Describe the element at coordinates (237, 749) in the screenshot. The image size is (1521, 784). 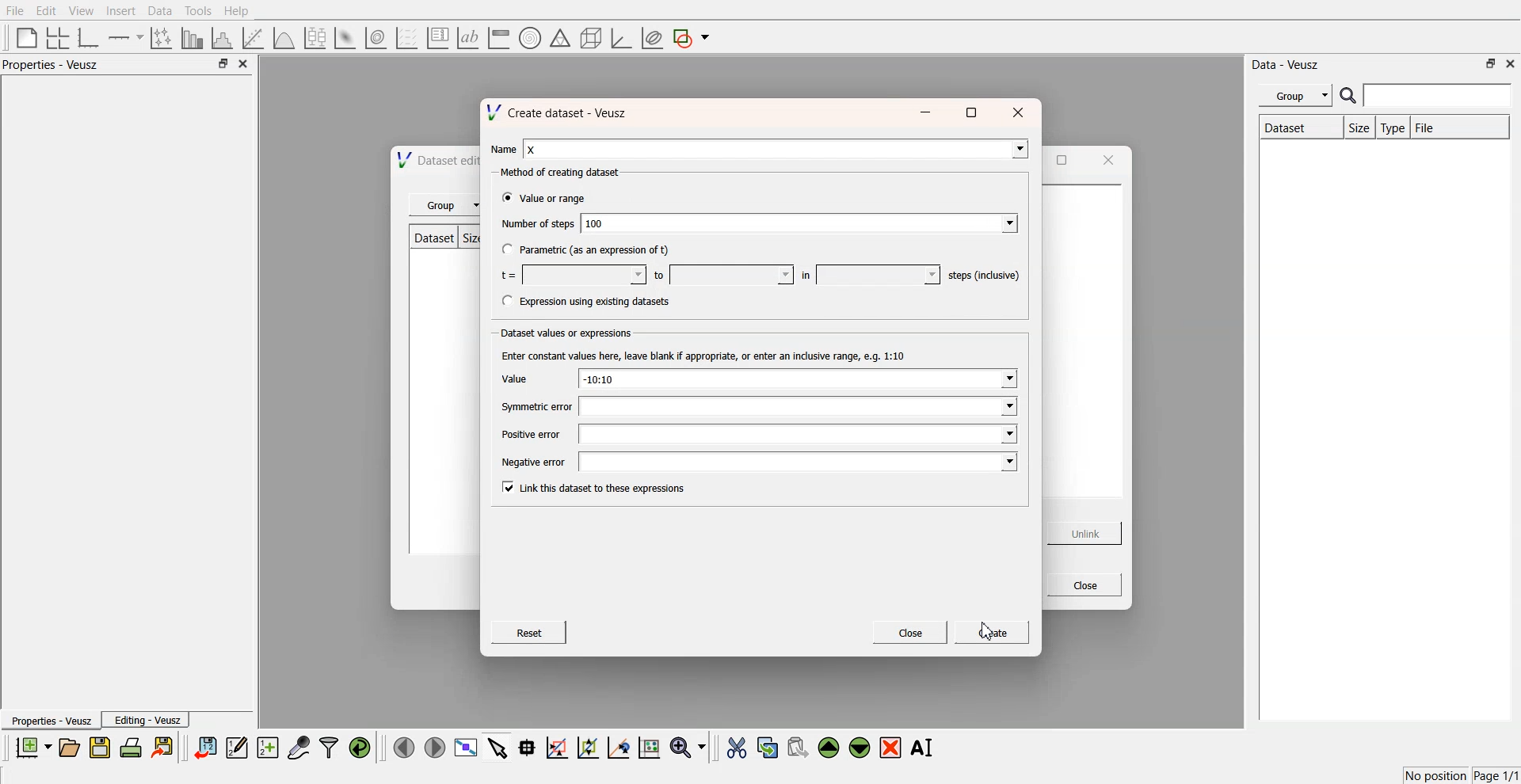
I see `edit and enter data points` at that location.